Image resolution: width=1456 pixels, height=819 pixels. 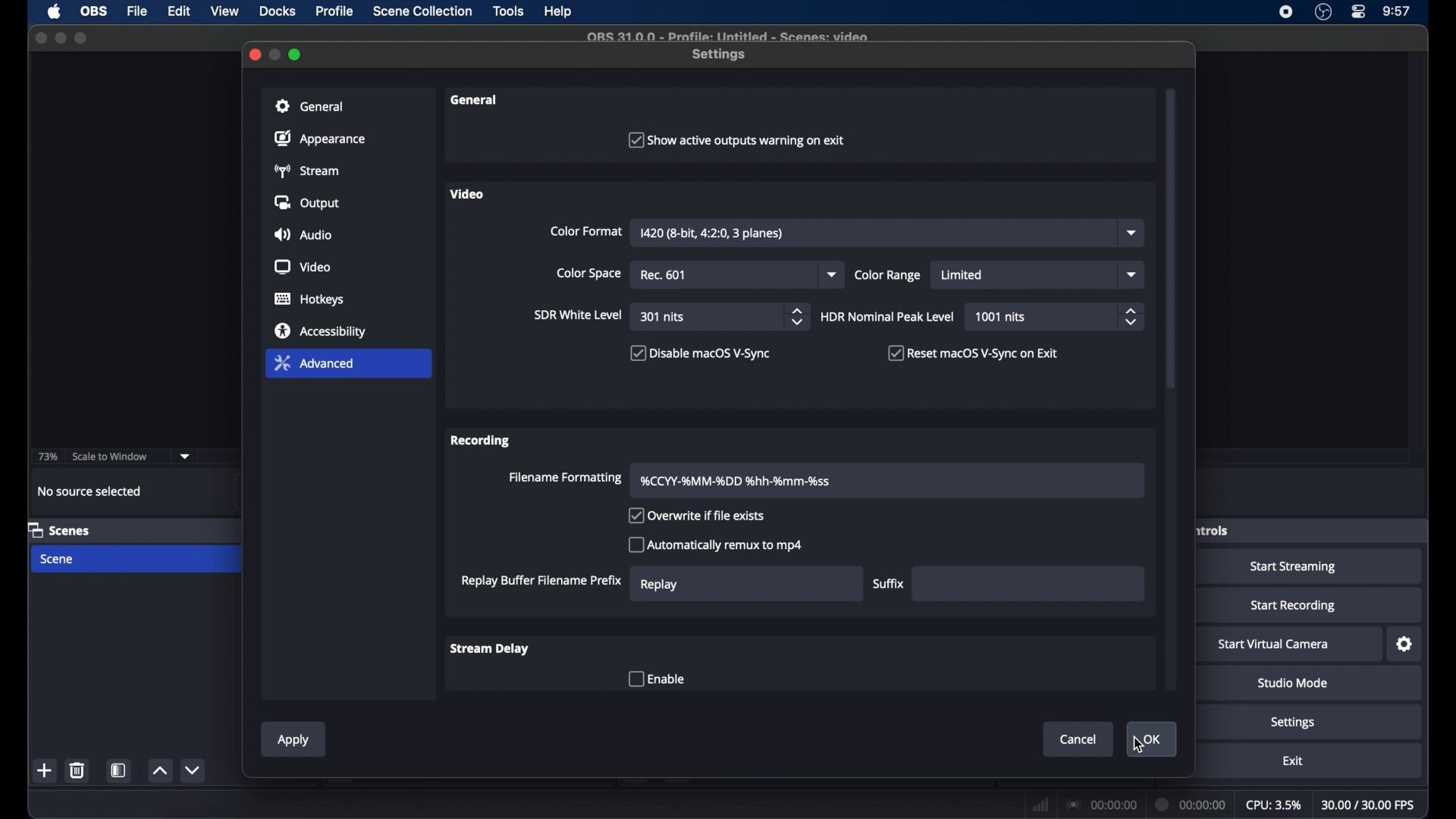 I want to click on dropdown, so click(x=833, y=275).